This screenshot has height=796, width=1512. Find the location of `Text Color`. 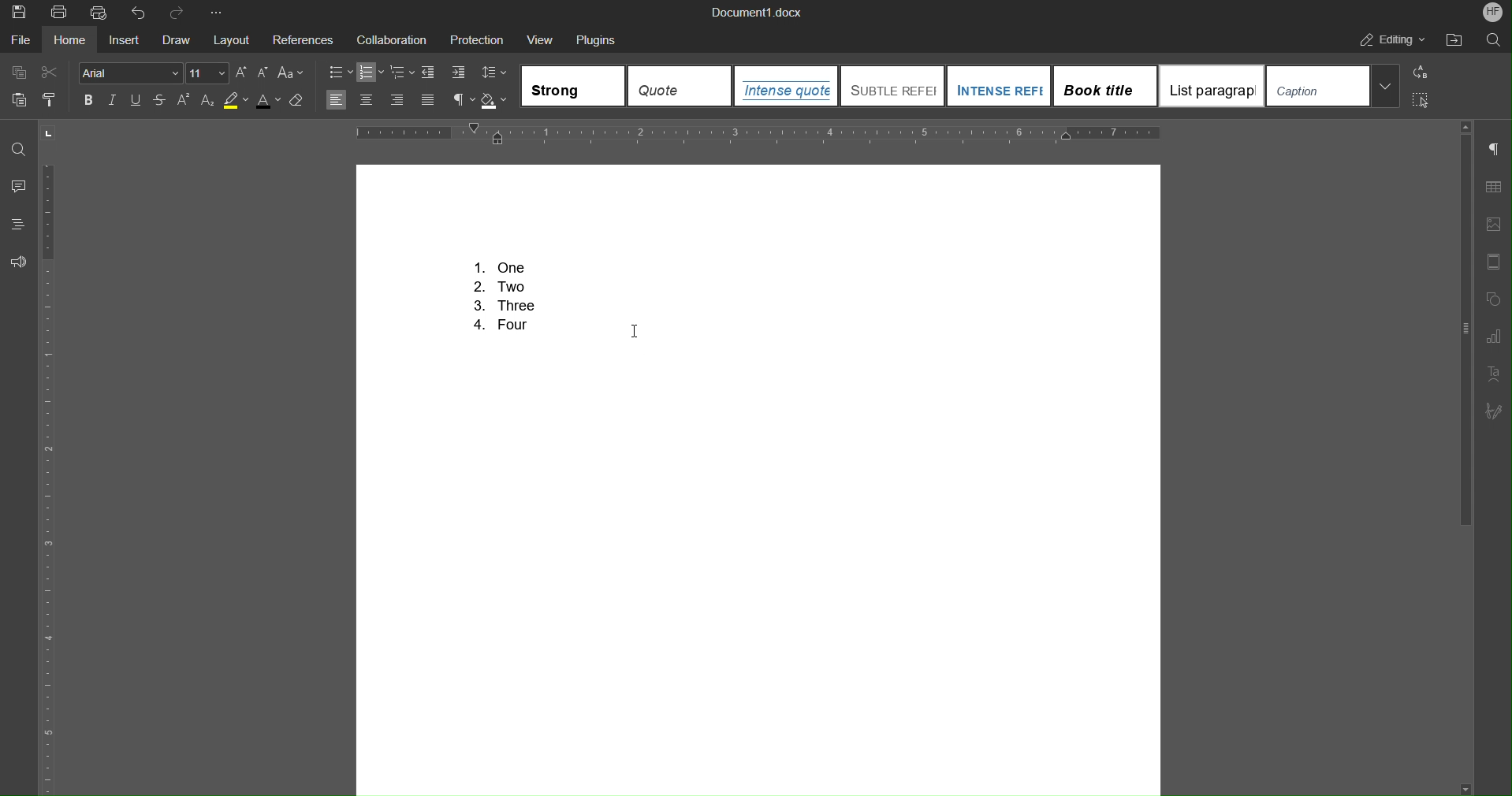

Text Color is located at coordinates (269, 101).